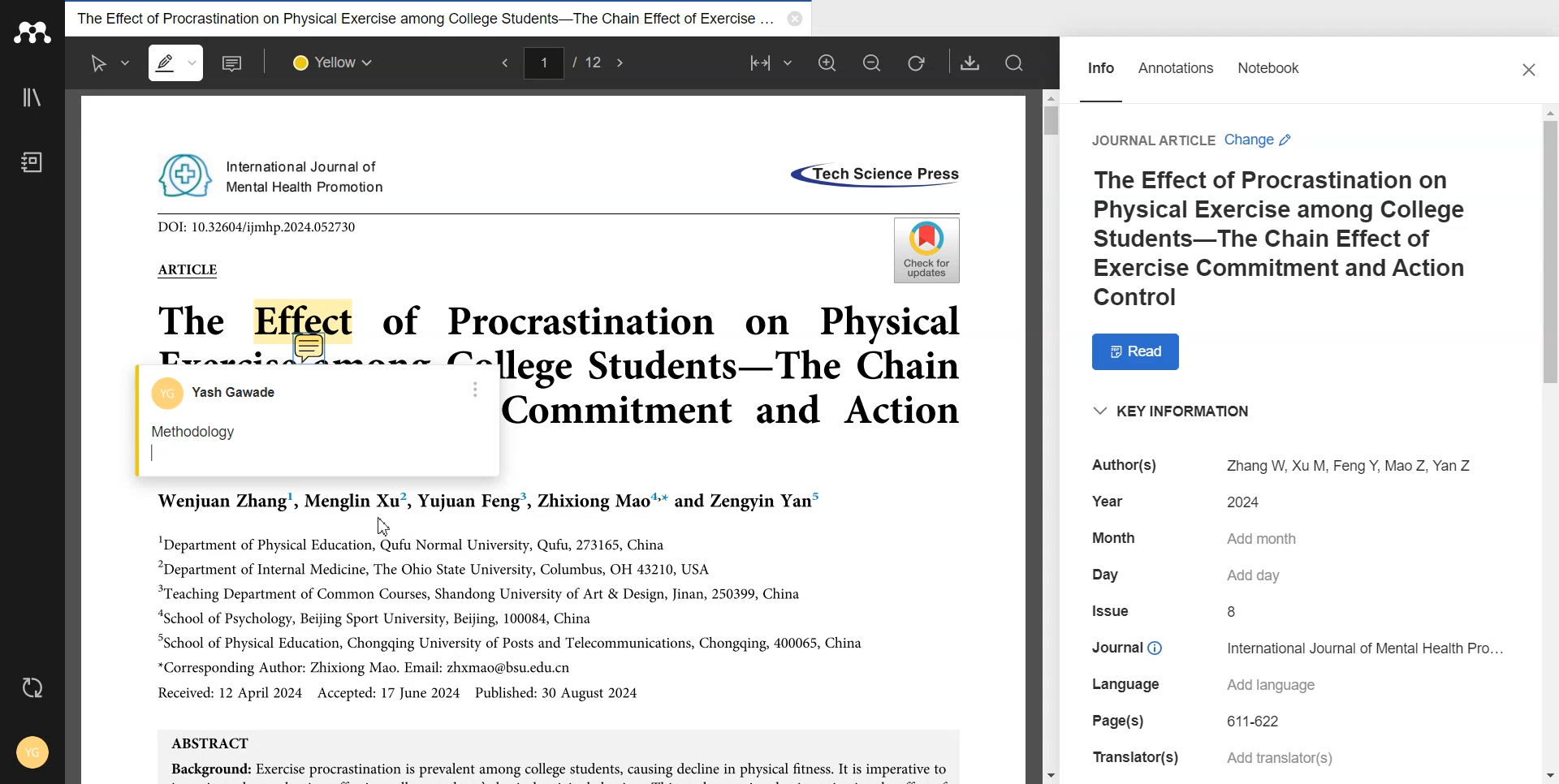  Describe the element at coordinates (257, 226) in the screenshot. I see `DOI: 10.32604/ijmhp.2024.052730` at that location.